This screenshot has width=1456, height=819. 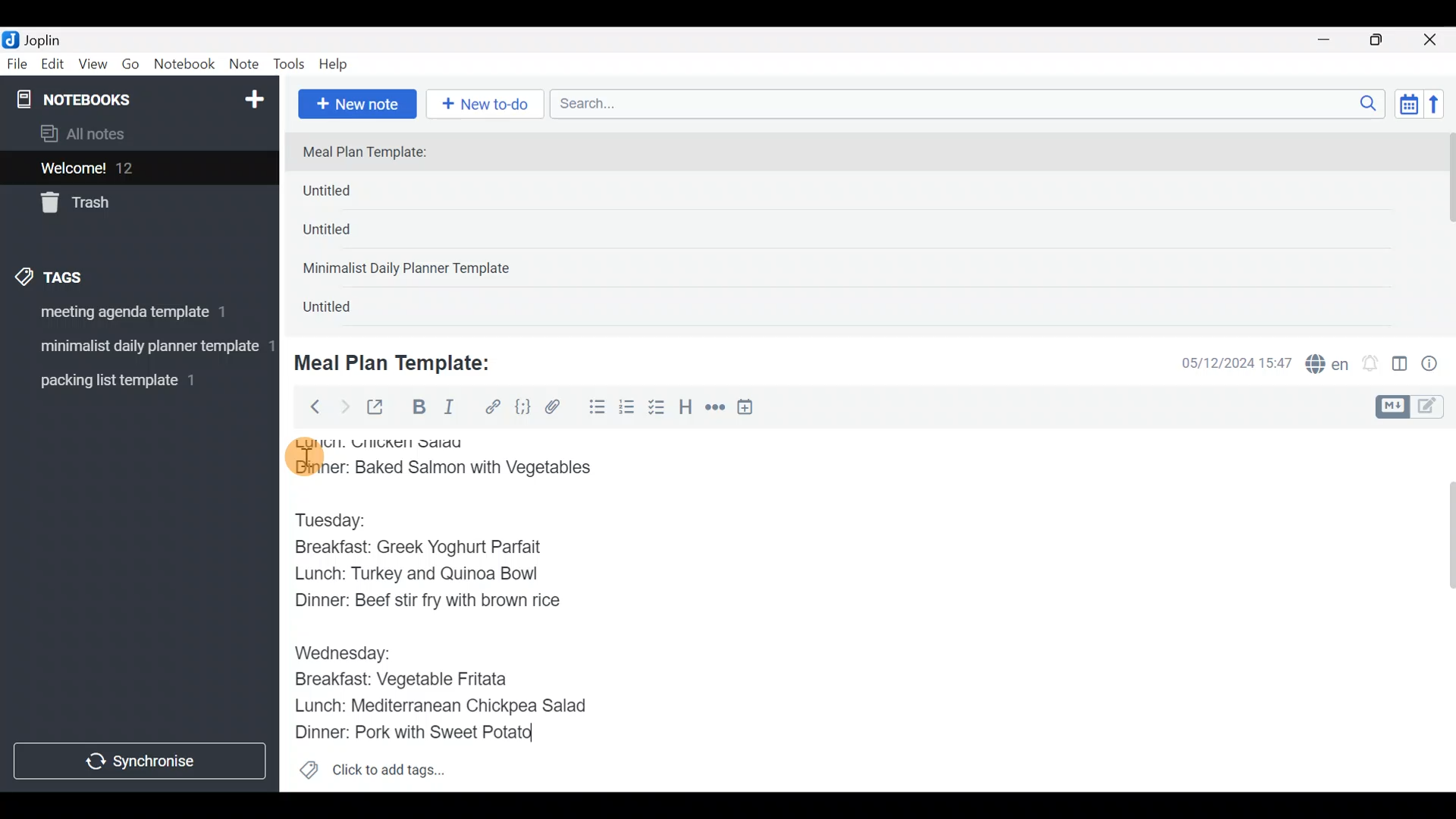 I want to click on Note properties, so click(x=1436, y=365).